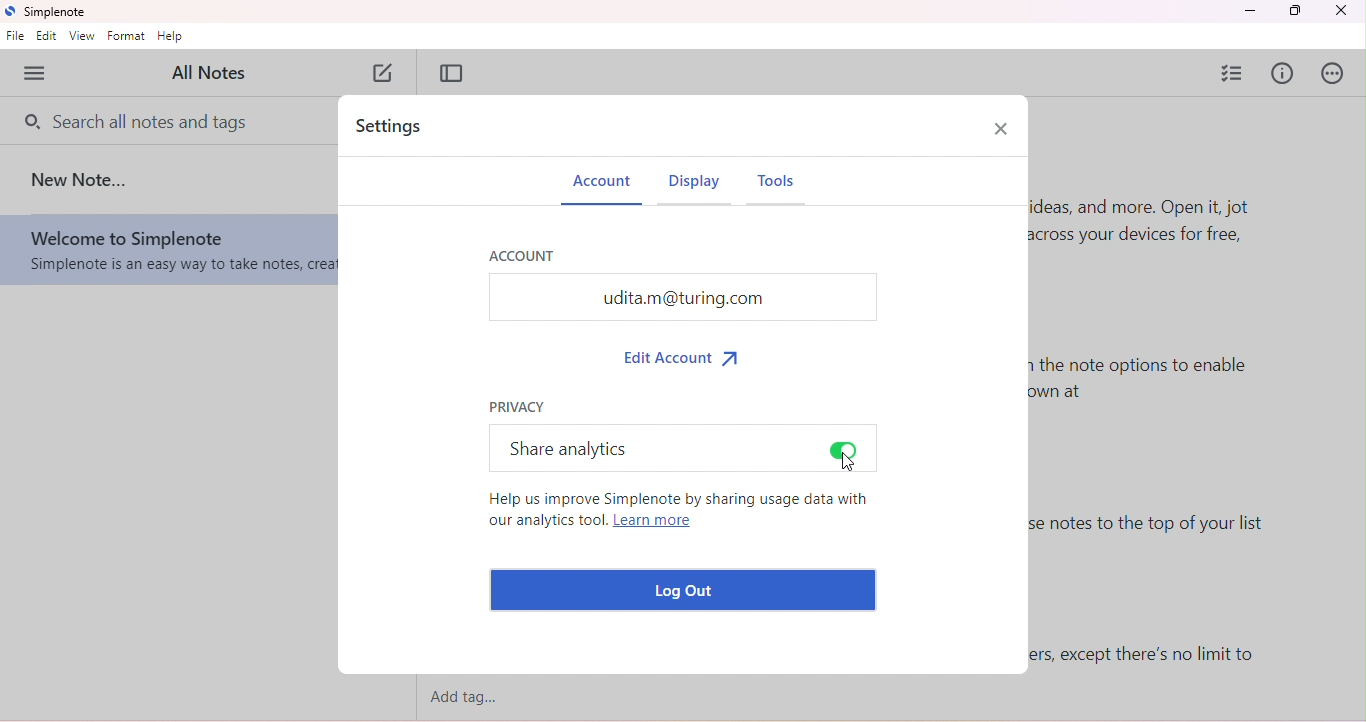  What do you see at coordinates (171, 37) in the screenshot?
I see `help` at bounding box center [171, 37].